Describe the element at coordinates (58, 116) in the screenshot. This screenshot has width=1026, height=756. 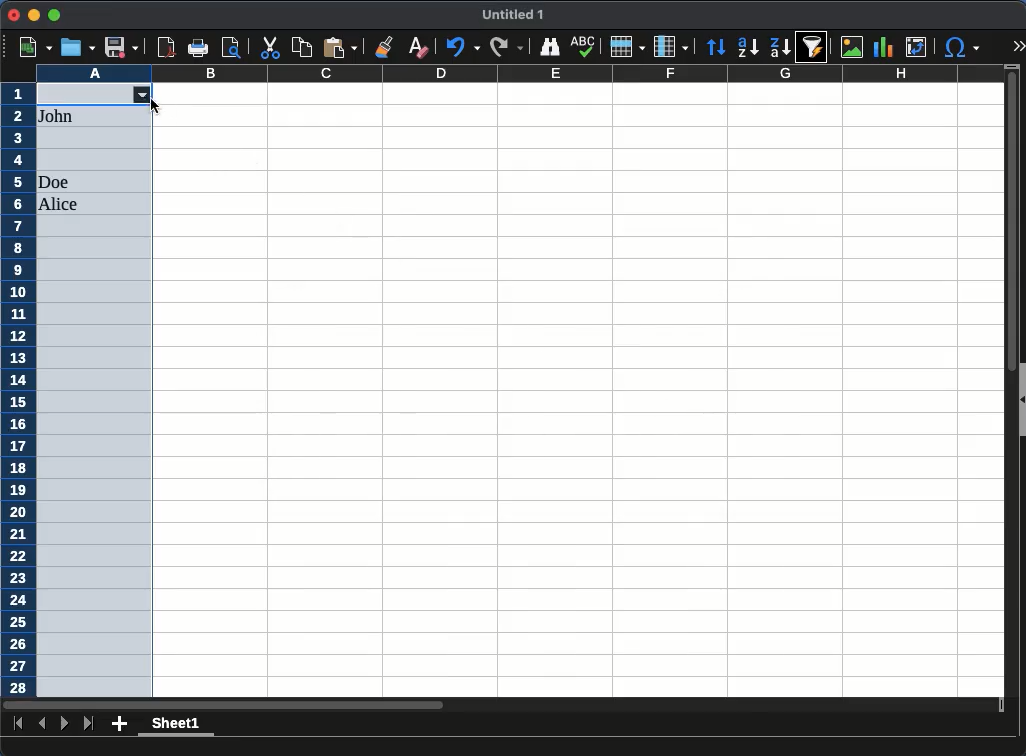
I see `John` at that location.